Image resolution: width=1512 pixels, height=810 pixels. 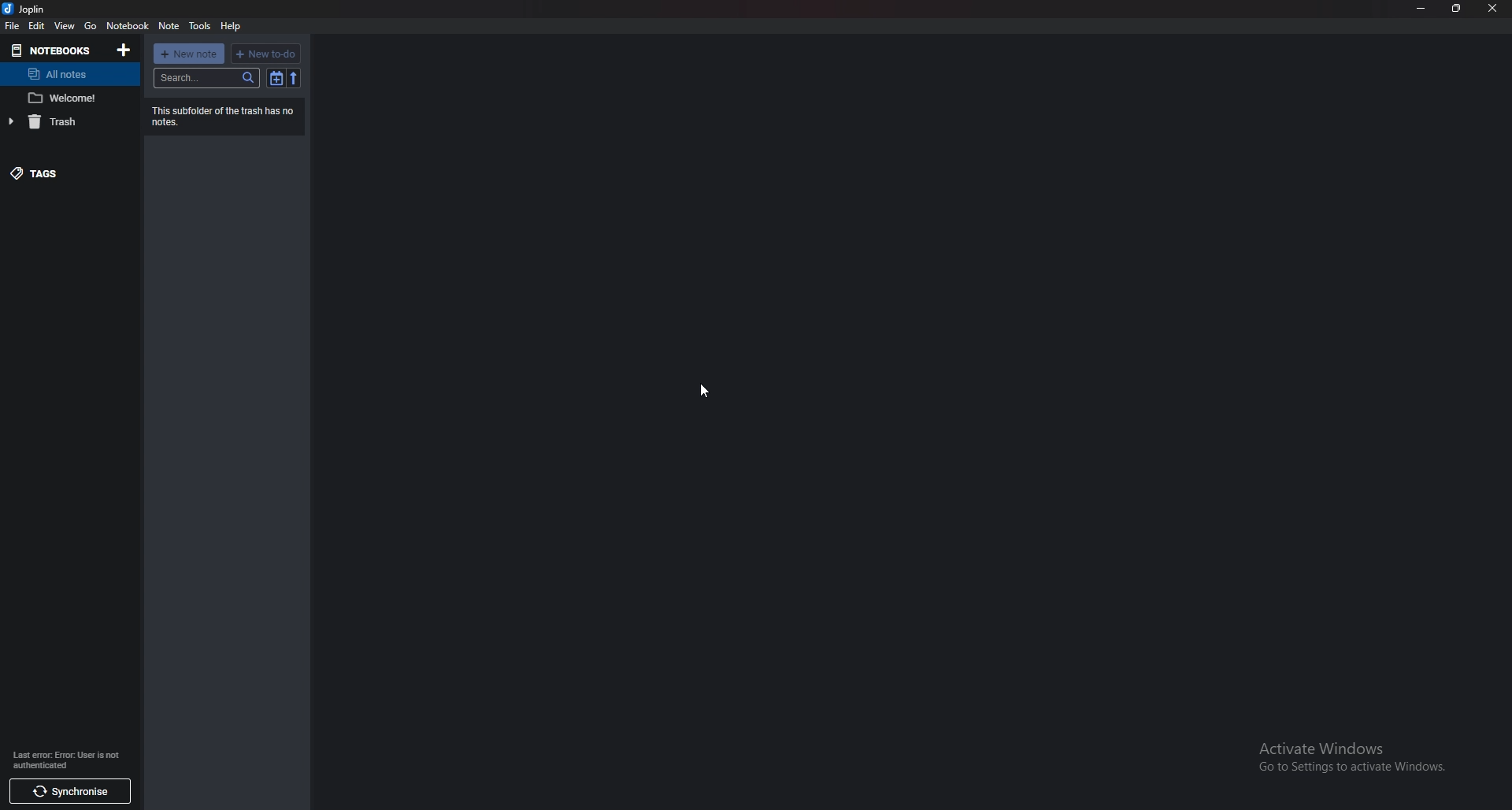 I want to click on resize, so click(x=1456, y=9).